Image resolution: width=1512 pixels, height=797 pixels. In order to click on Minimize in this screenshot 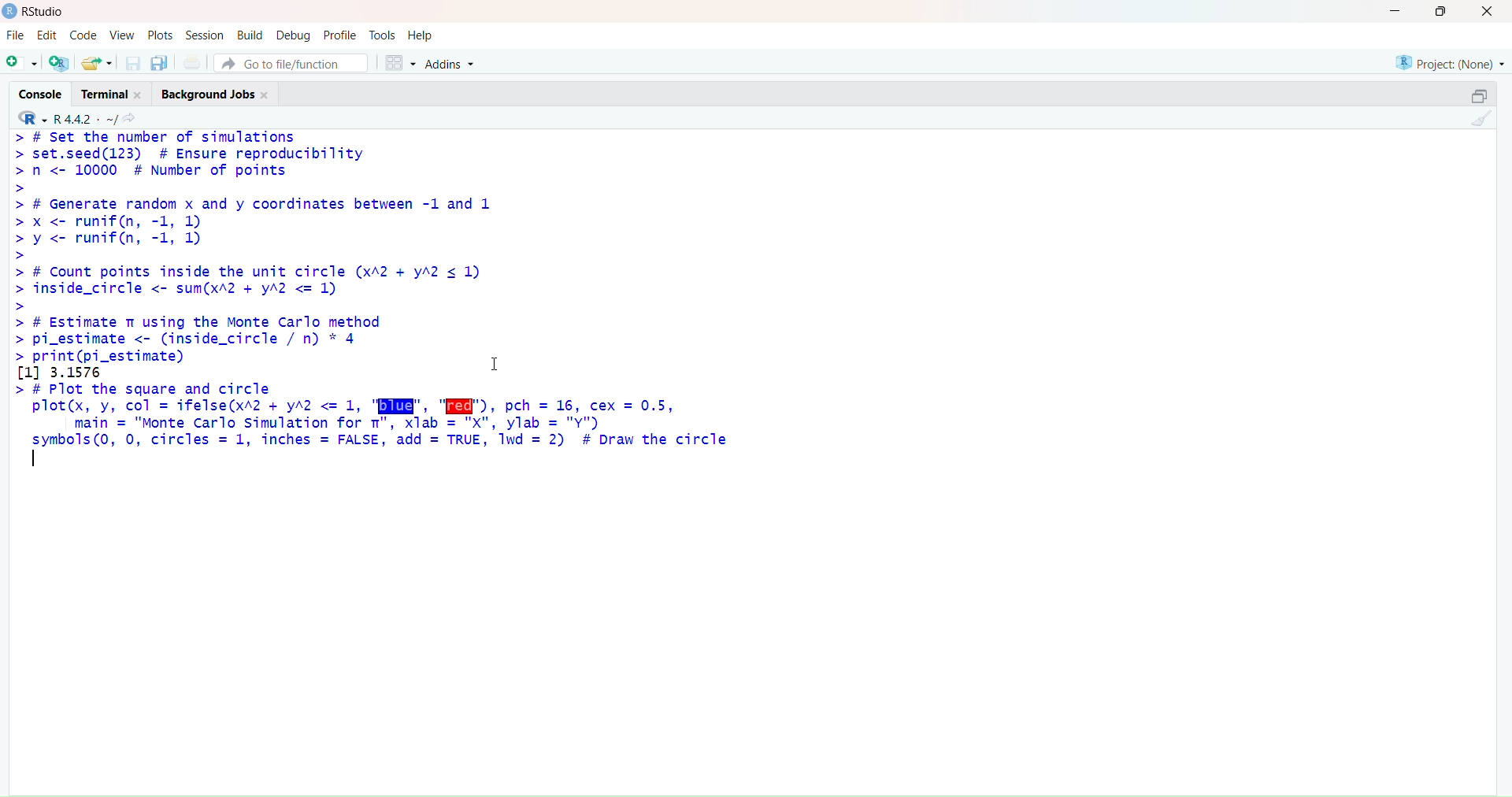, I will do `click(1395, 11)`.